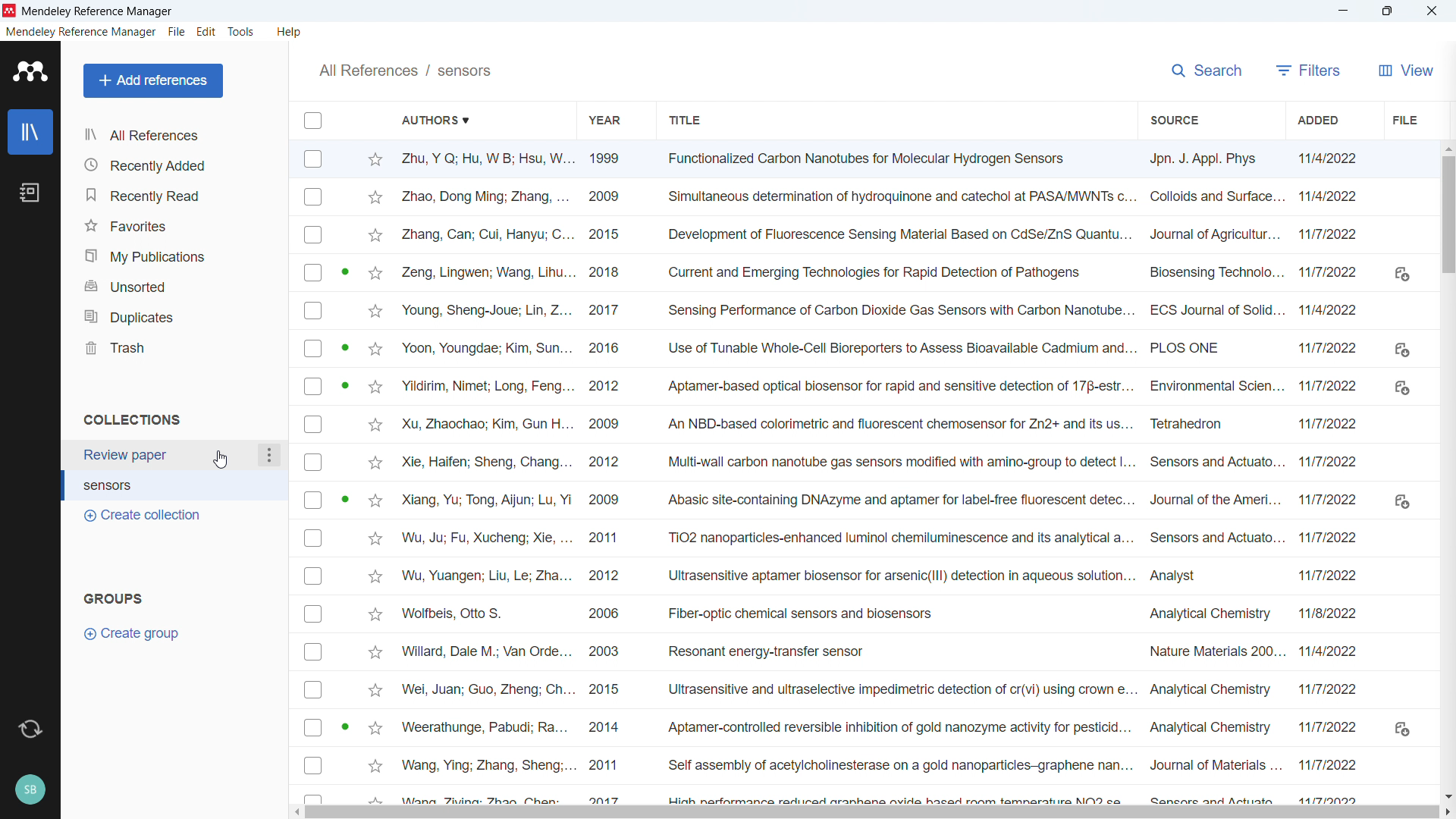 This screenshot has width=1456, height=819. I want to click on Notebook , so click(31, 193).